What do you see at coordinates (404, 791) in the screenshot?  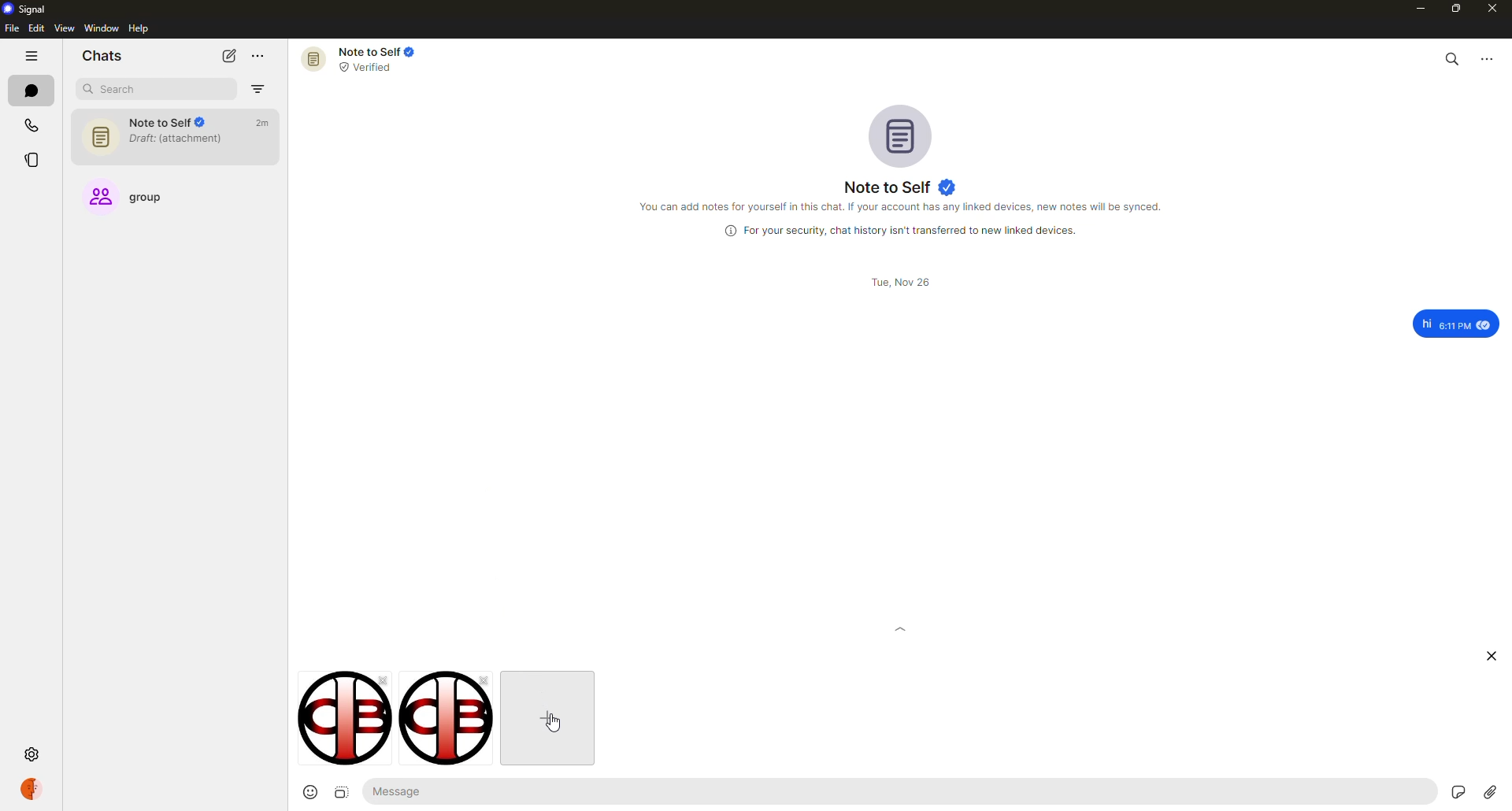 I see `message` at bounding box center [404, 791].